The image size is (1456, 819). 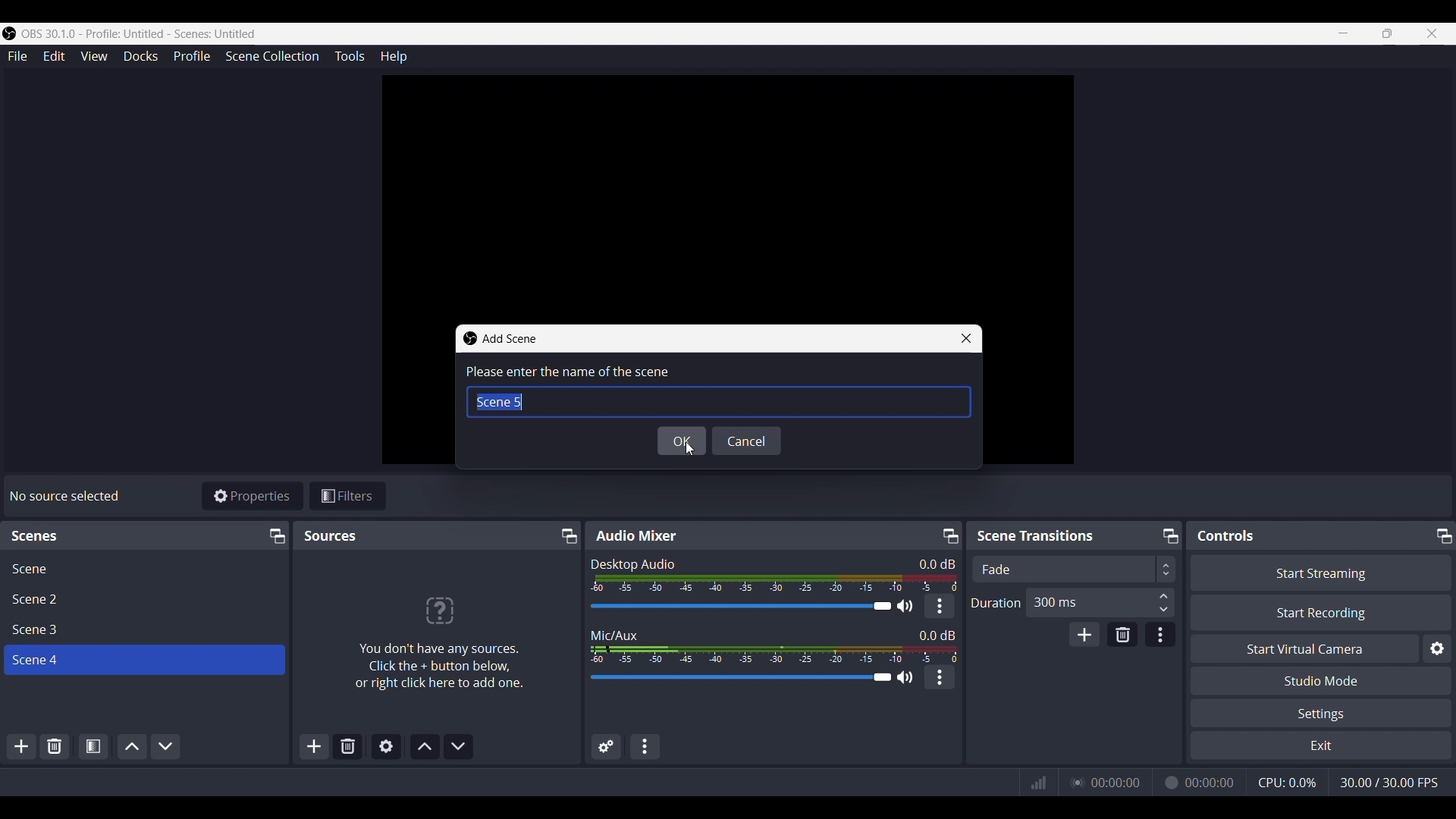 What do you see at coordinates (1076, 782) in the screenshot?
I see `Streaming` at bounding box center [1076, 782].